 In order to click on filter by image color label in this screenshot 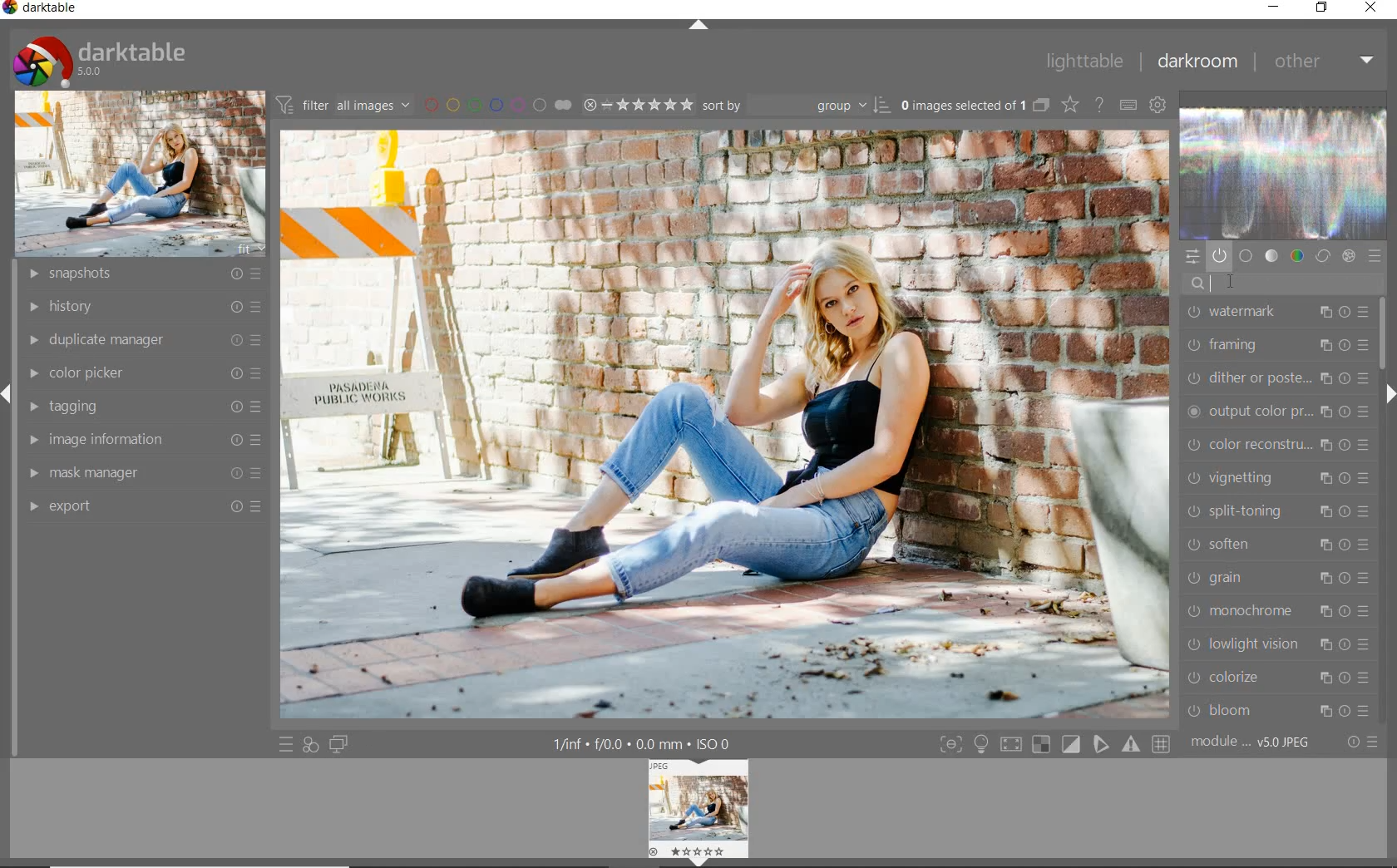, I will do `click(497, 103)`.